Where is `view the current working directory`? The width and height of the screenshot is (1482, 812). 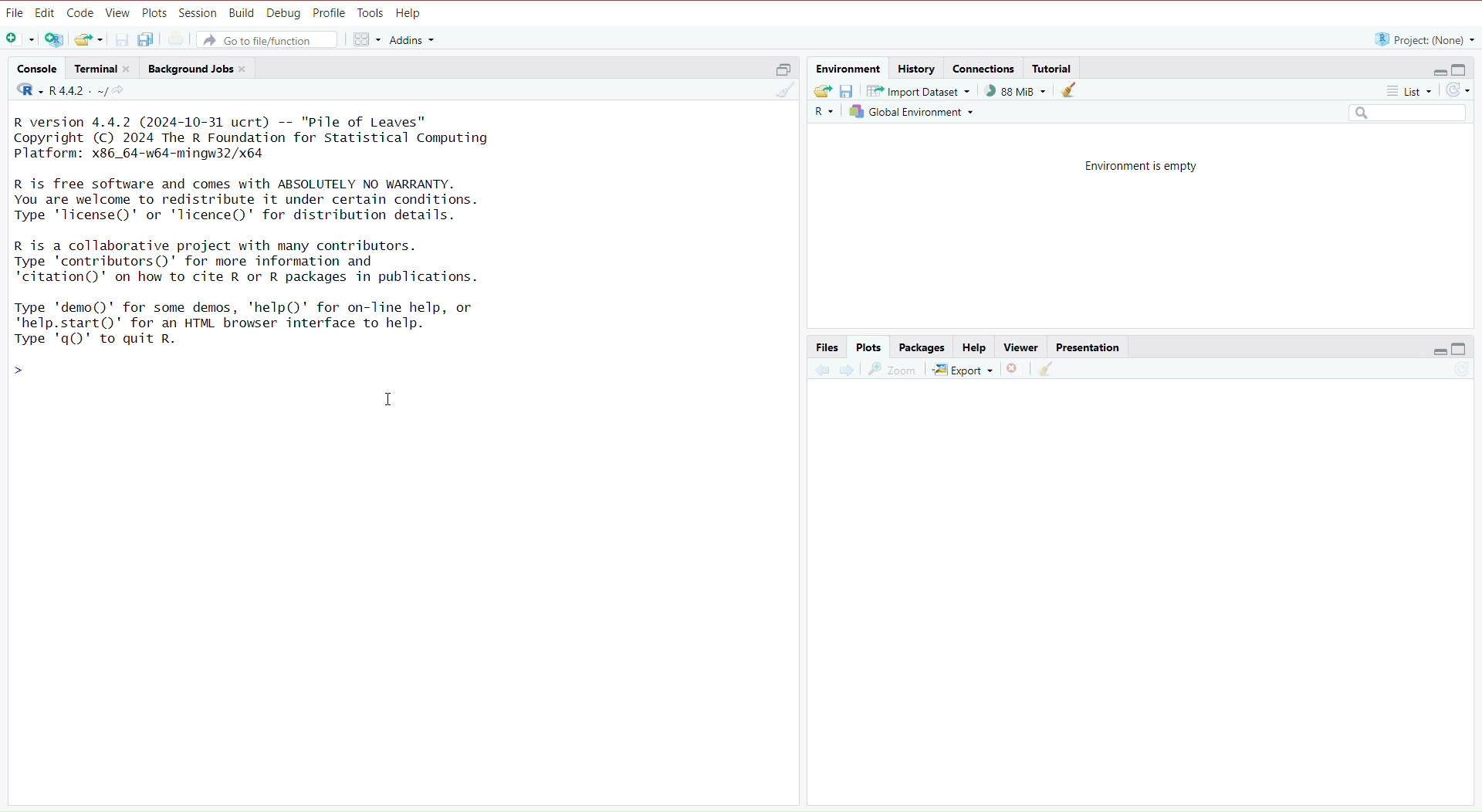 view the current working directory is located at coordinates (123, 92).